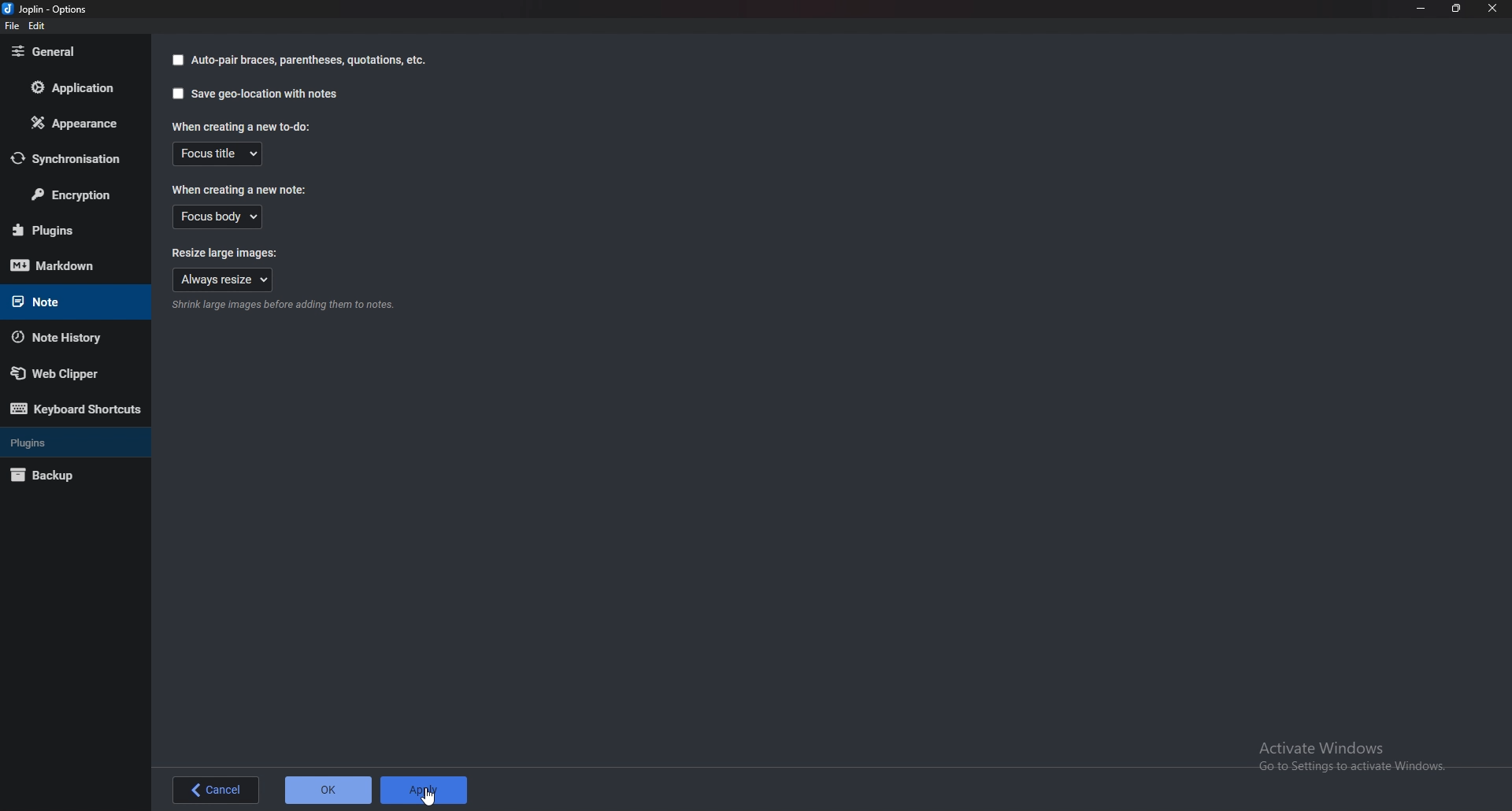 The height and width of the screenshot is (811, 1512). I want to click on ok, so click(328, 791).